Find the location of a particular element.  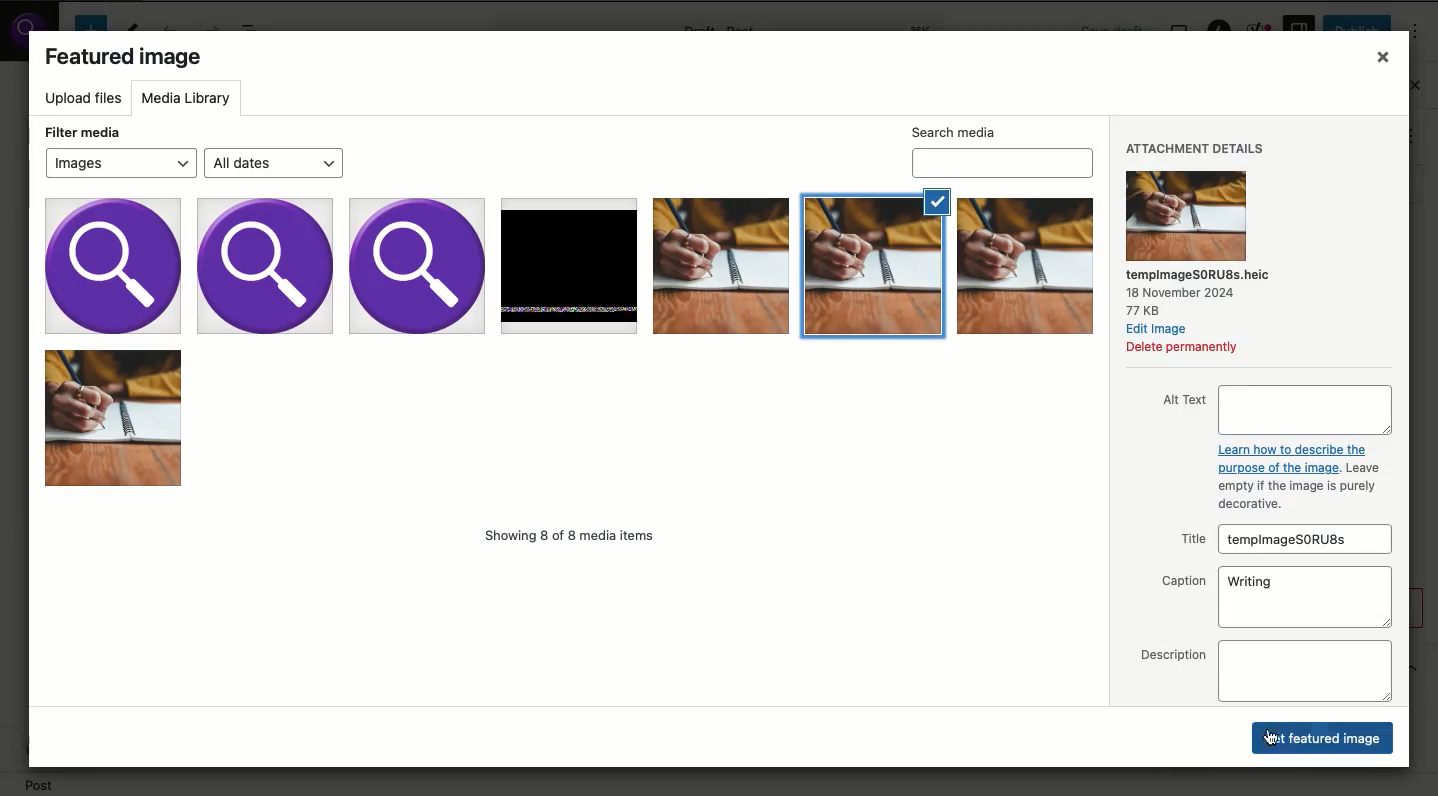

All dates is located at coordinates (269, 162).